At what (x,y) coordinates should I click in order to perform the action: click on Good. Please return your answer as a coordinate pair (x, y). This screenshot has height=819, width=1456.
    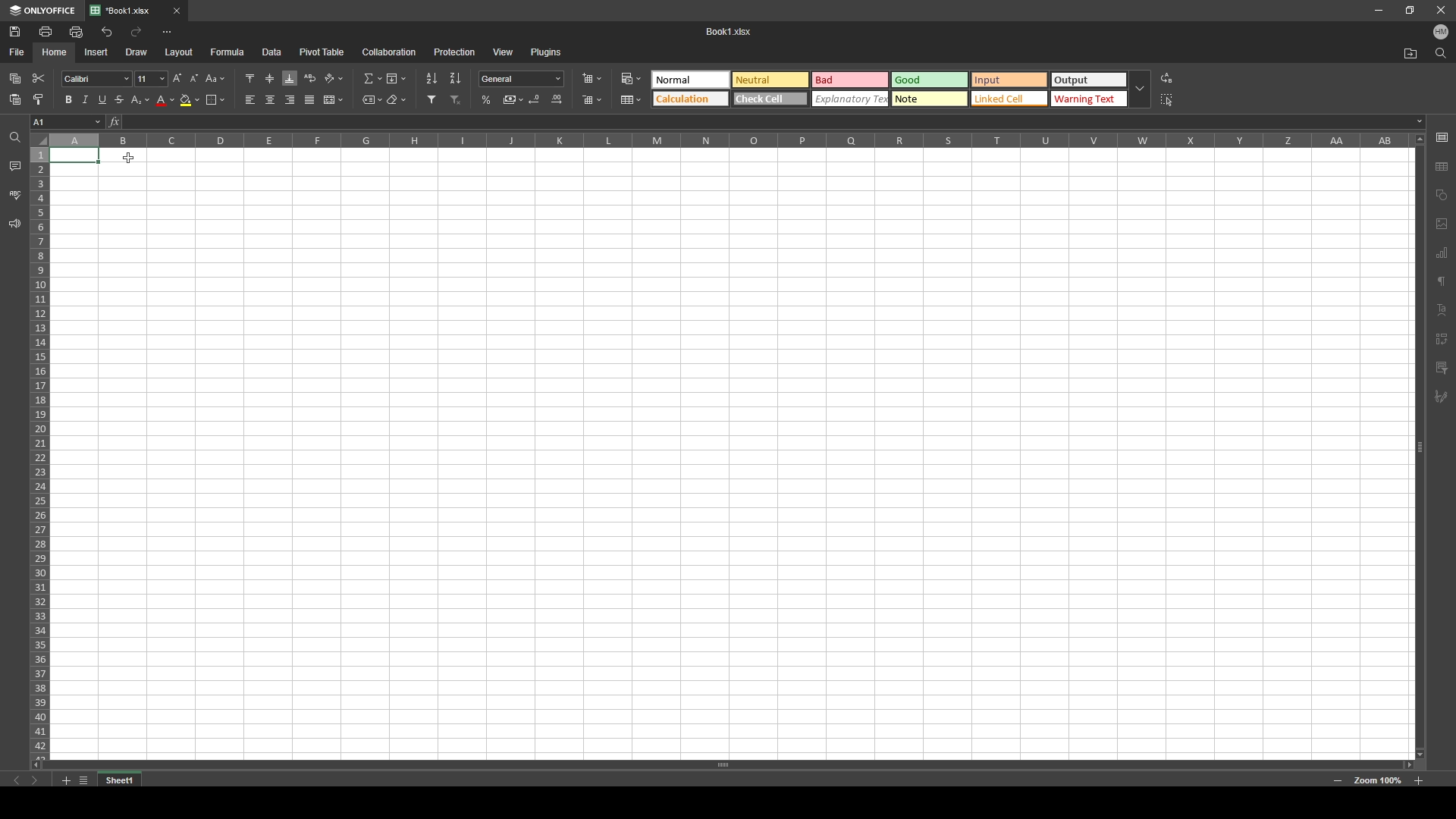
    Looking at the image, I should click on (930, 80).